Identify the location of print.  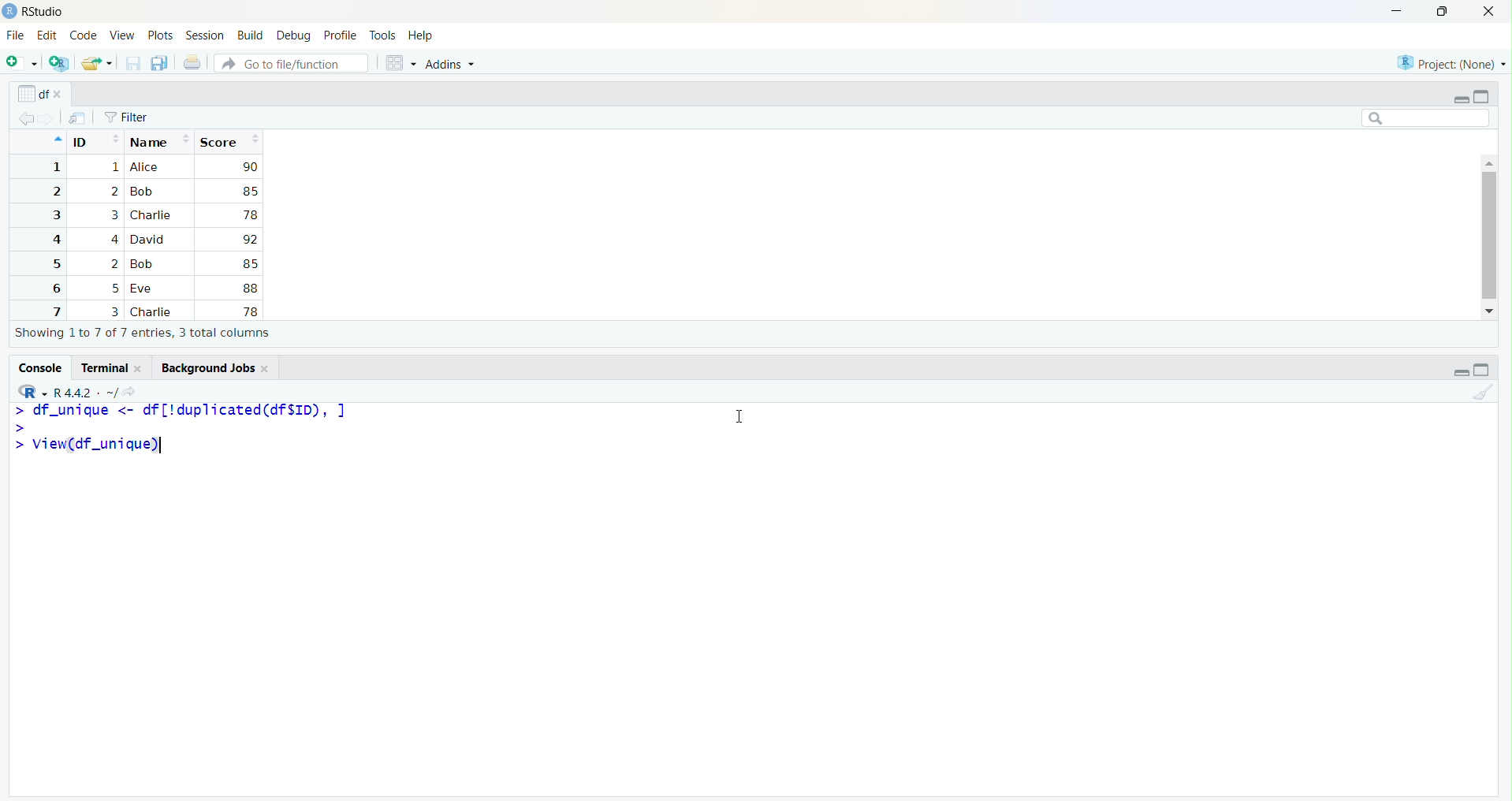
(192, 62).